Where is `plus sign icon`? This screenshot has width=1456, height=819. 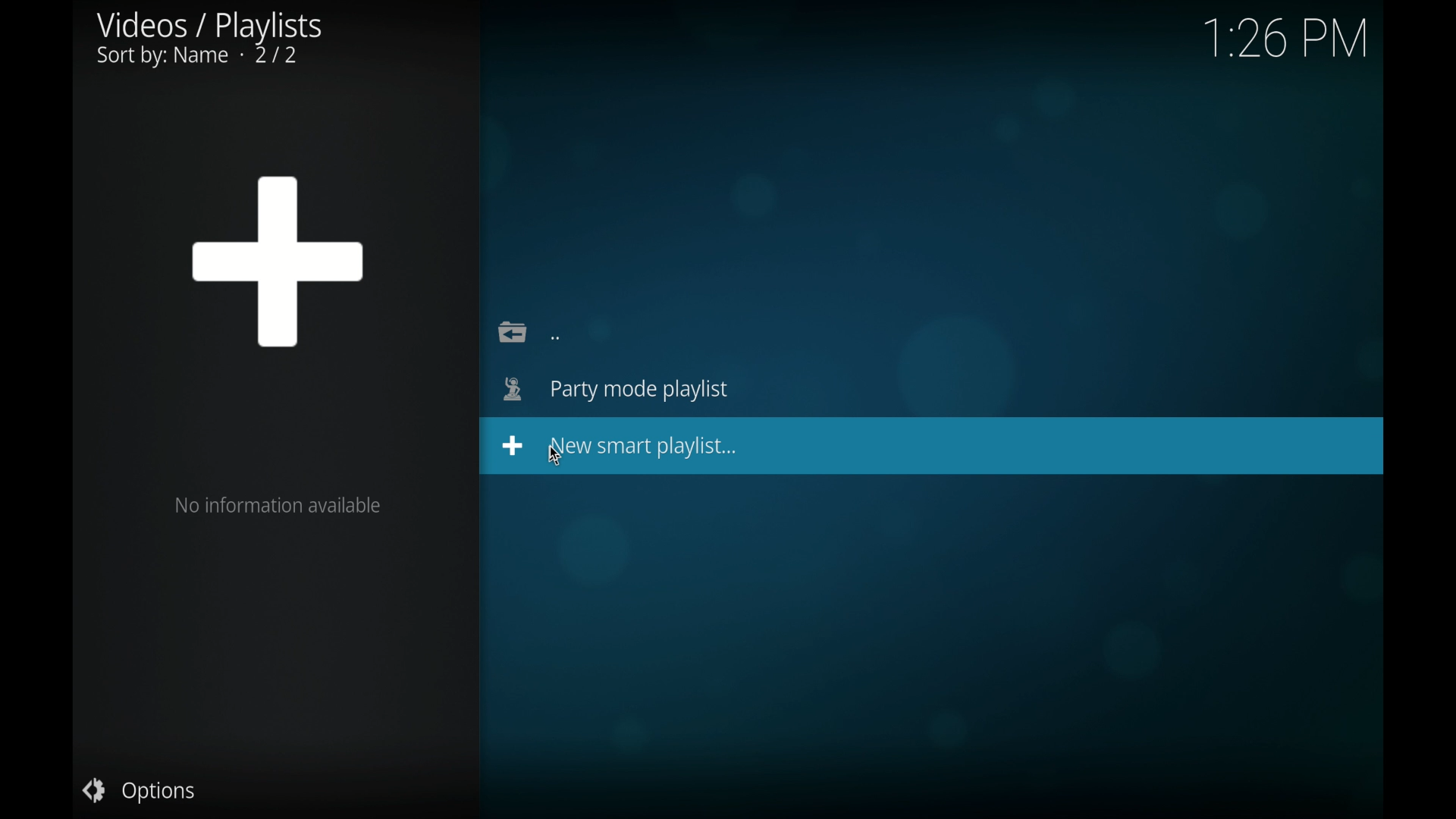
plus sign icon is located at coordinates (278, 261).